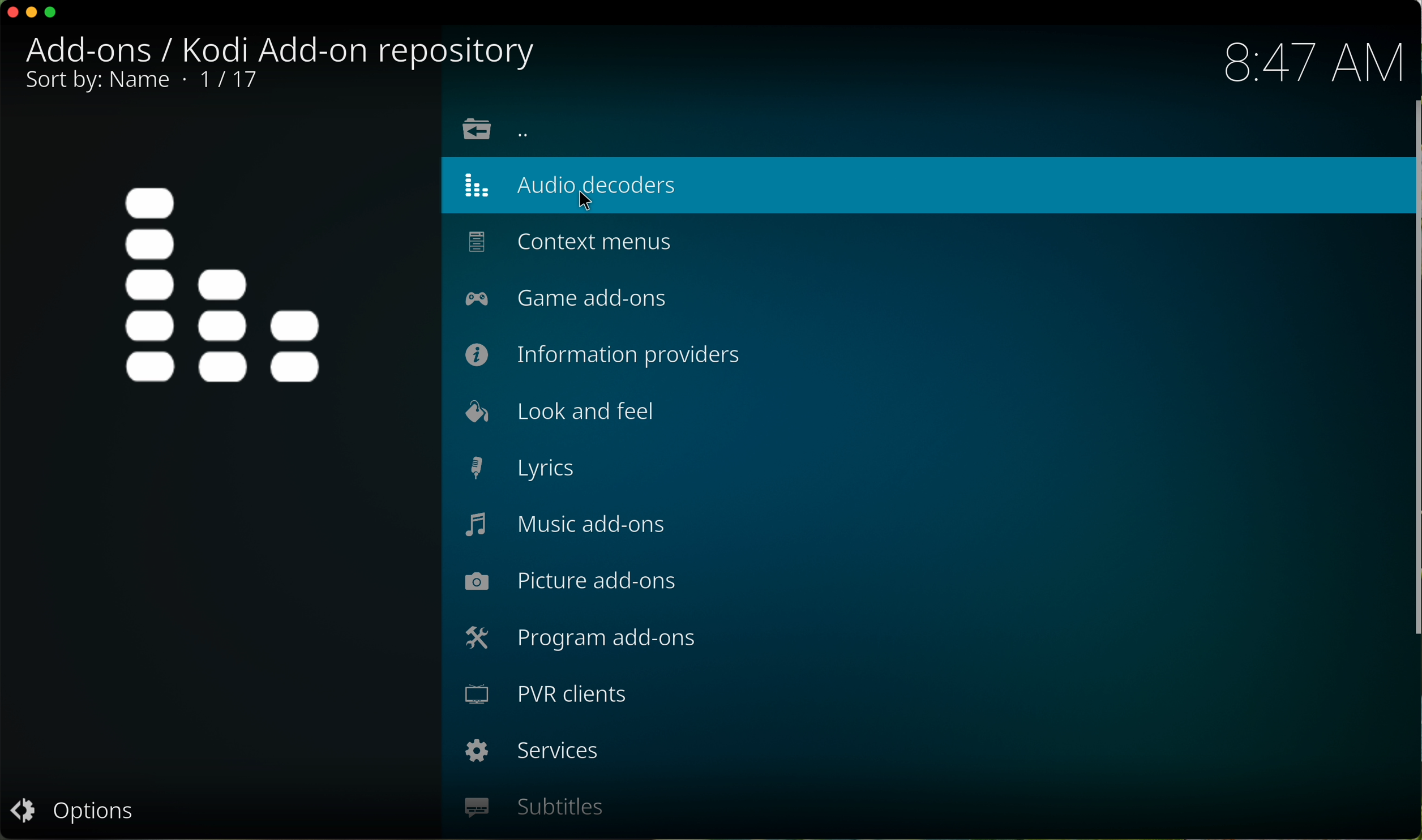 This screenshot has width=1422, height=840. What do you see at coordinates (607, 354) in the screenshot?
I see `information providers` at bounding box center [607, 354].